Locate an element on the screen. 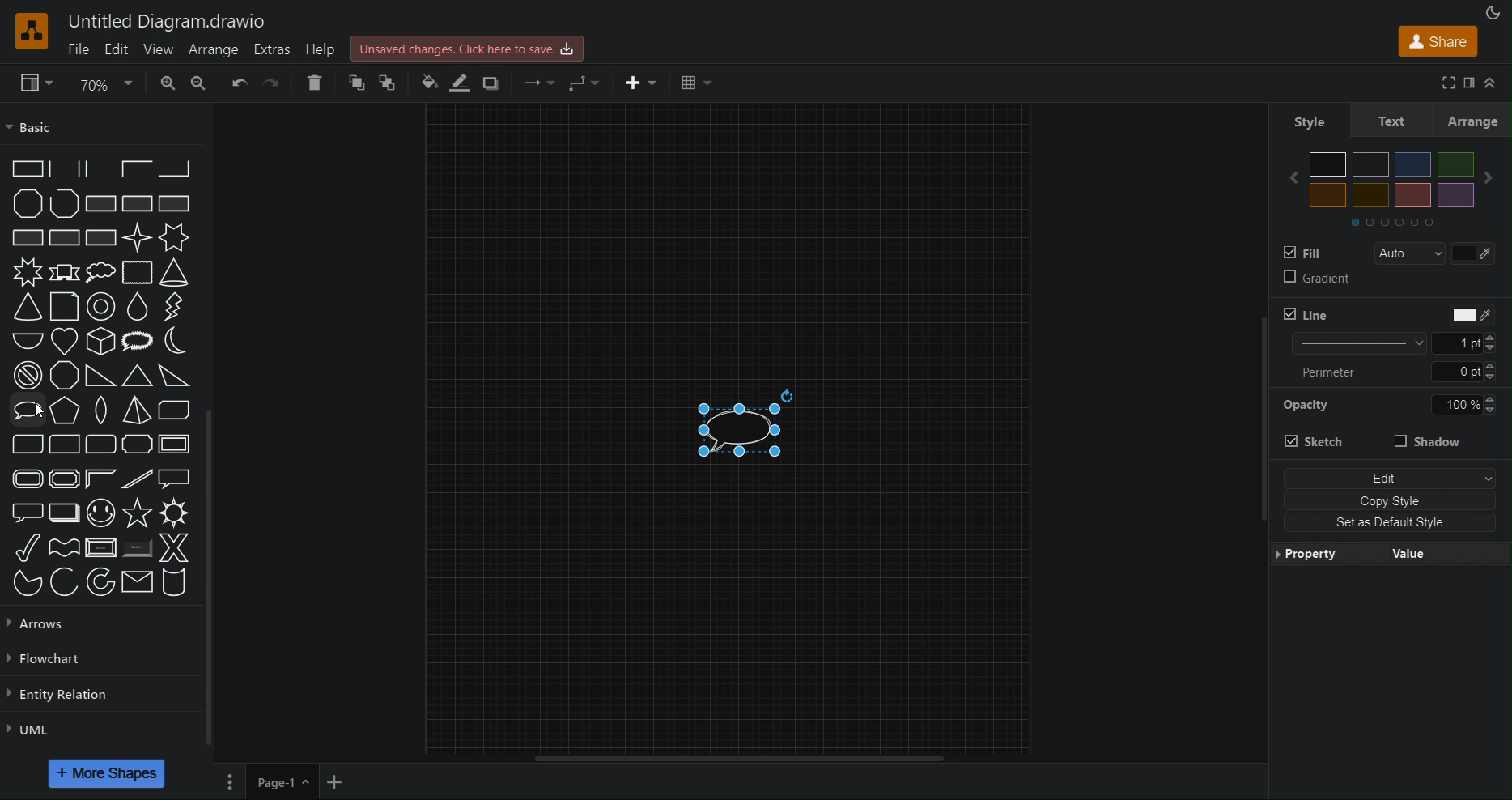 The image size is (1512, 800). Waypoint is located at coordinates (582, 84).